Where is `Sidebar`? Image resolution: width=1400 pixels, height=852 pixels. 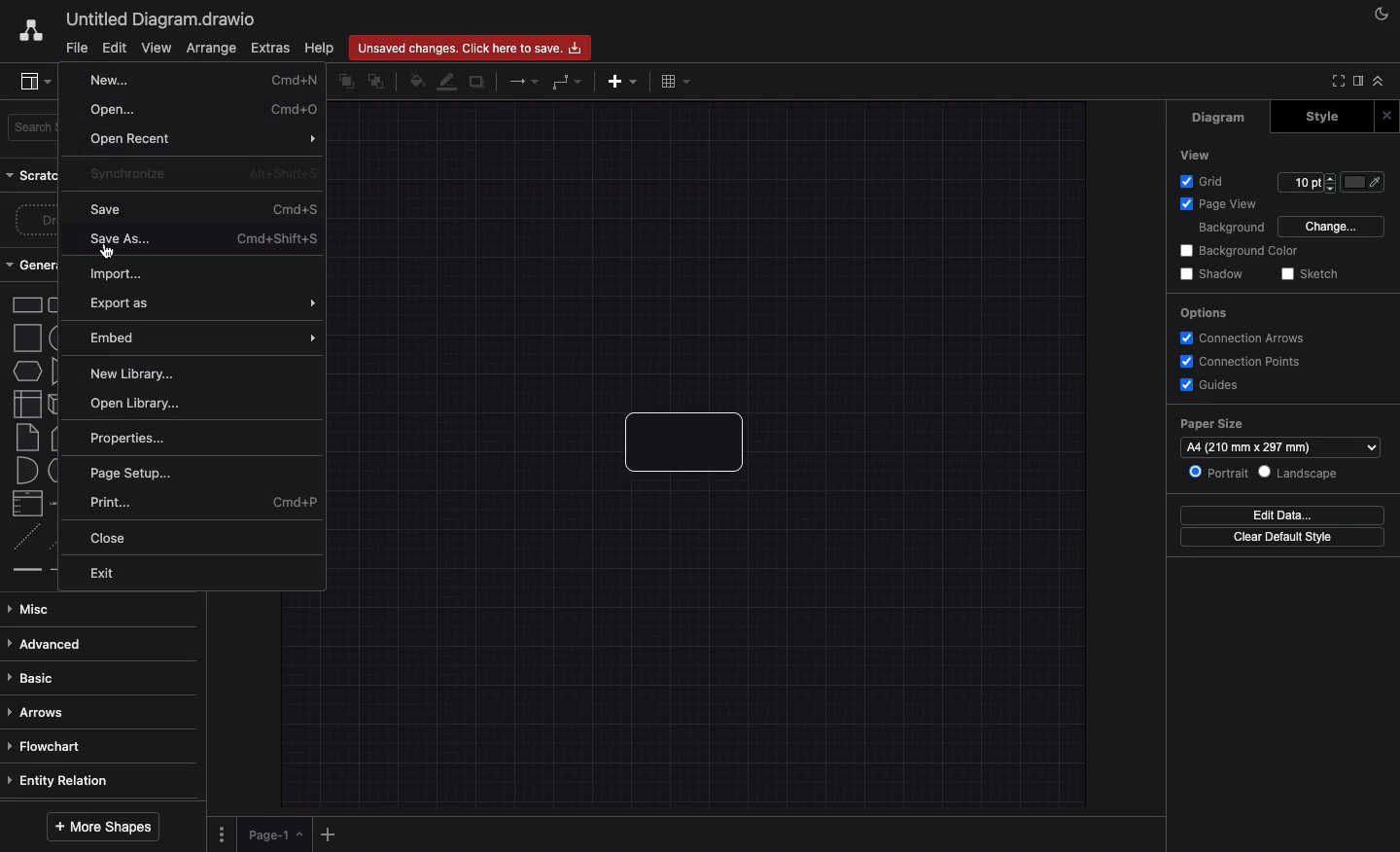
Sidebar is located at coordinates (36, 82).